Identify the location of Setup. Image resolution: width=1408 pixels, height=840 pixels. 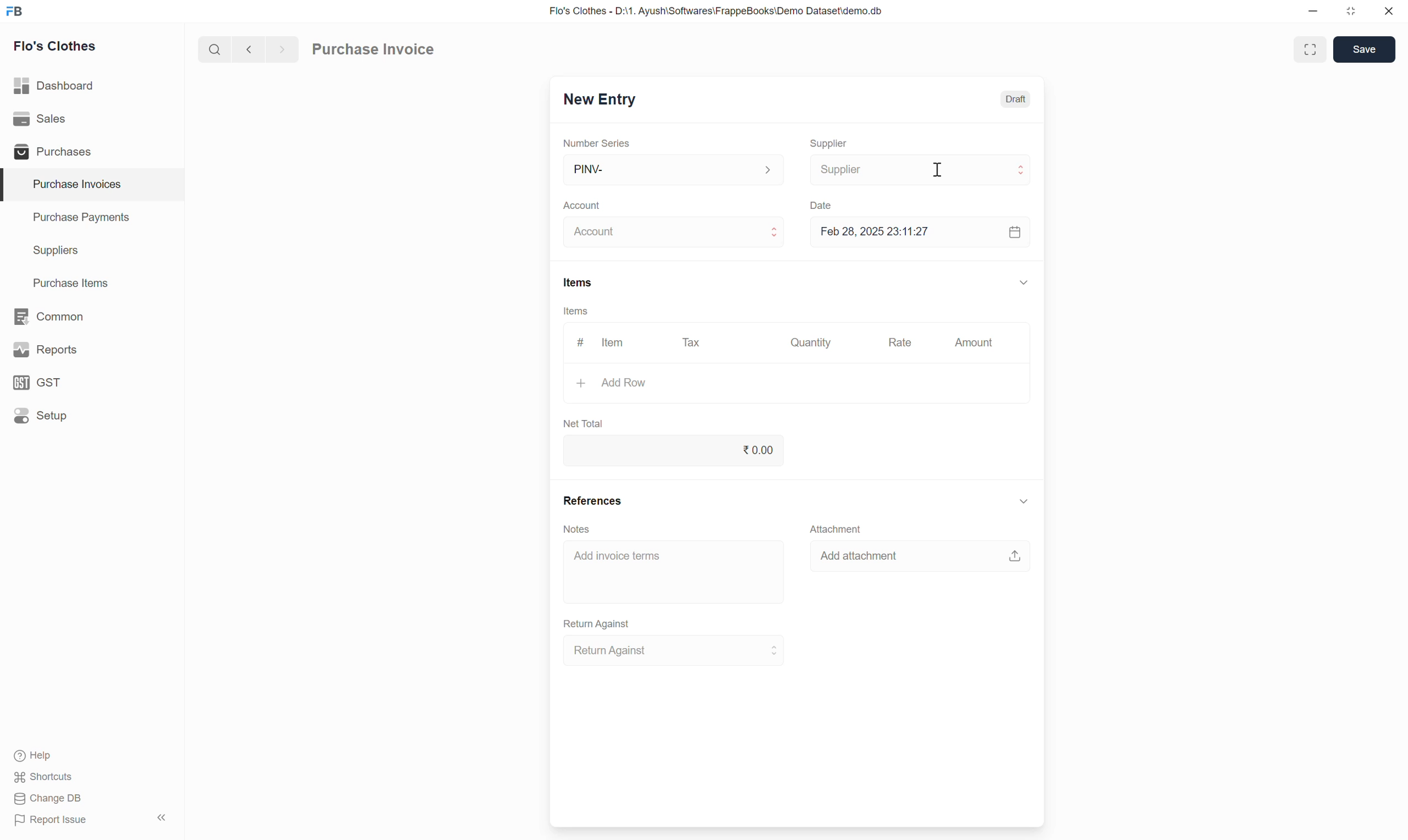
(91, 415).